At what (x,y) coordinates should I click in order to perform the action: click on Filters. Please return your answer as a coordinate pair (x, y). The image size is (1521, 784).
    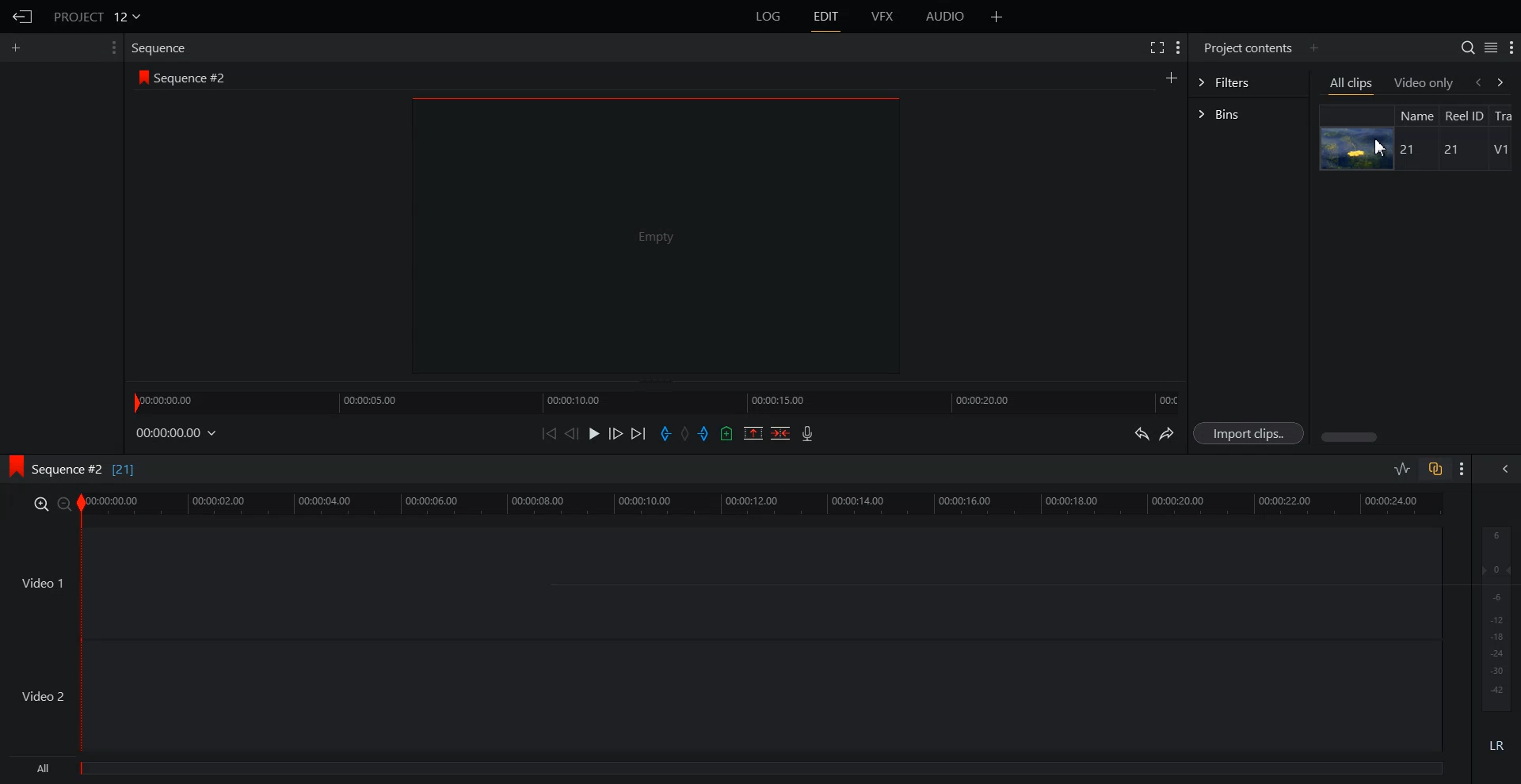
    Looking at the image, I should click on (1248, 82).